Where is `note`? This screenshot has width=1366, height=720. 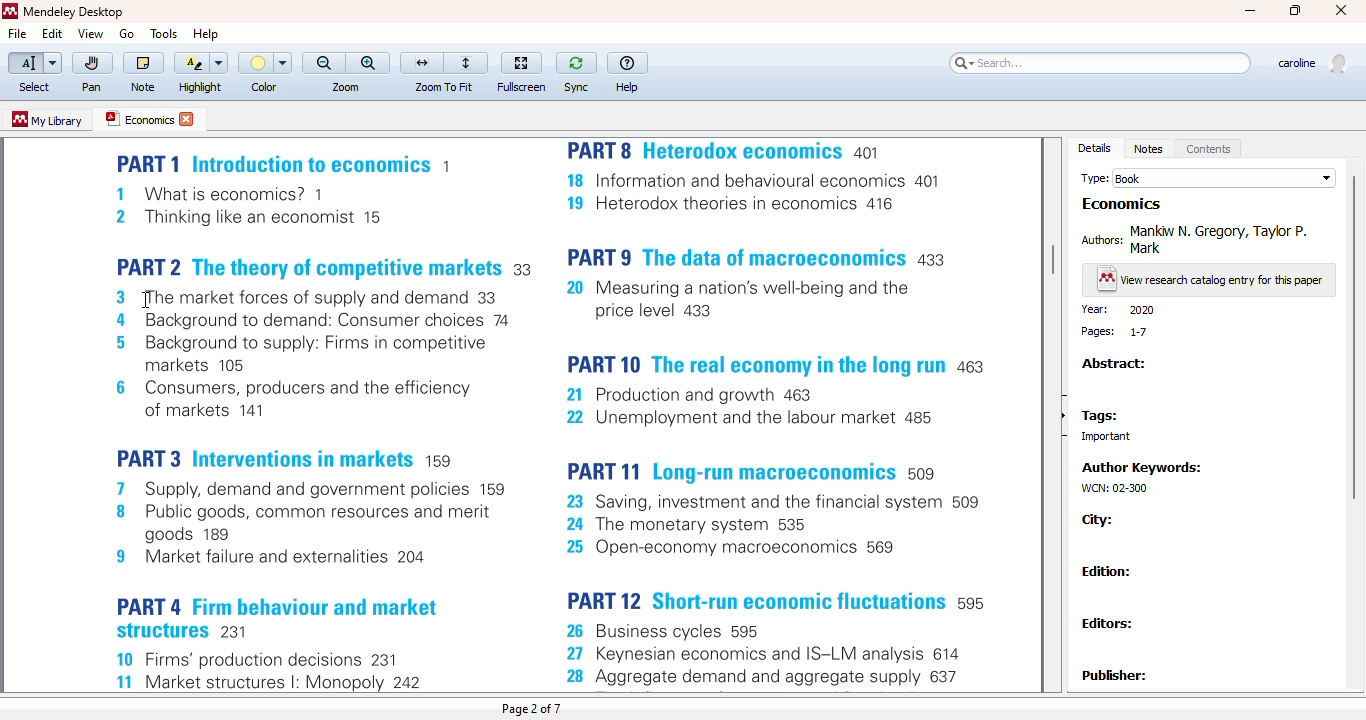 note is located at coordinates (143, 87).